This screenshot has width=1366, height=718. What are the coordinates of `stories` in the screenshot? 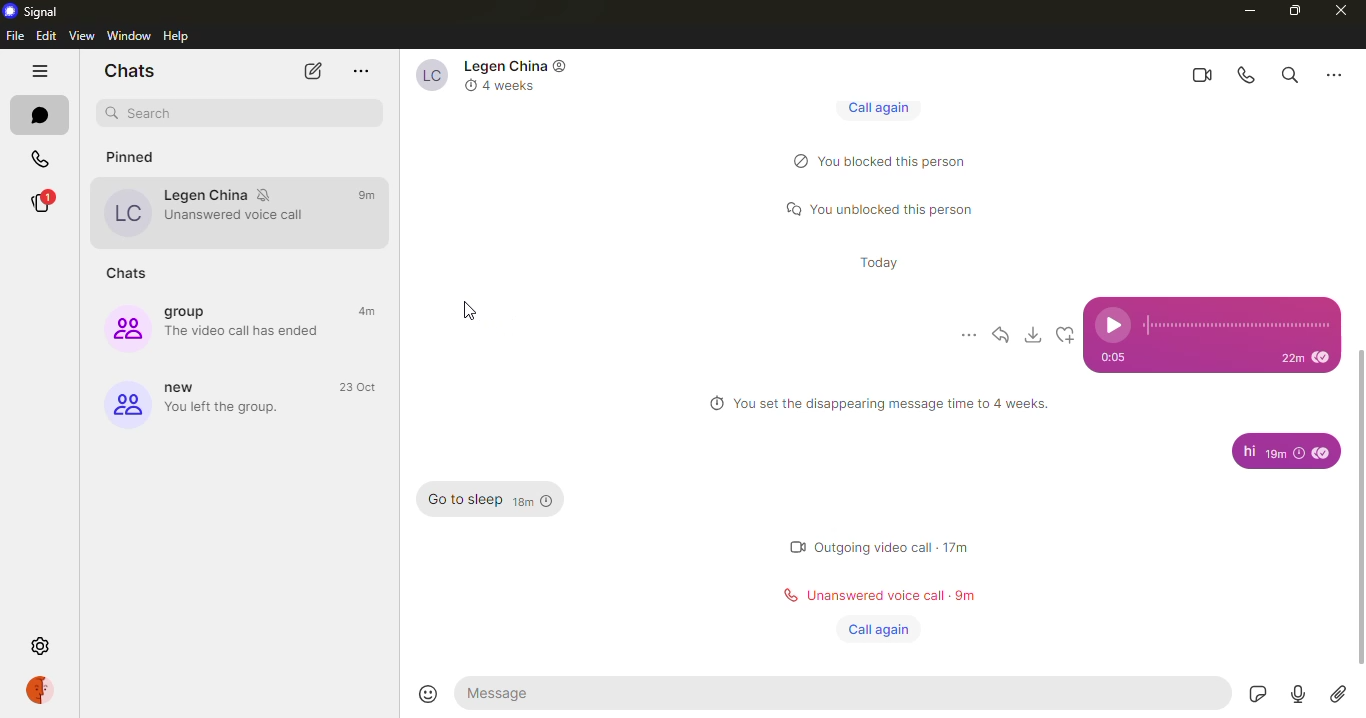 It's located at (40, 202).